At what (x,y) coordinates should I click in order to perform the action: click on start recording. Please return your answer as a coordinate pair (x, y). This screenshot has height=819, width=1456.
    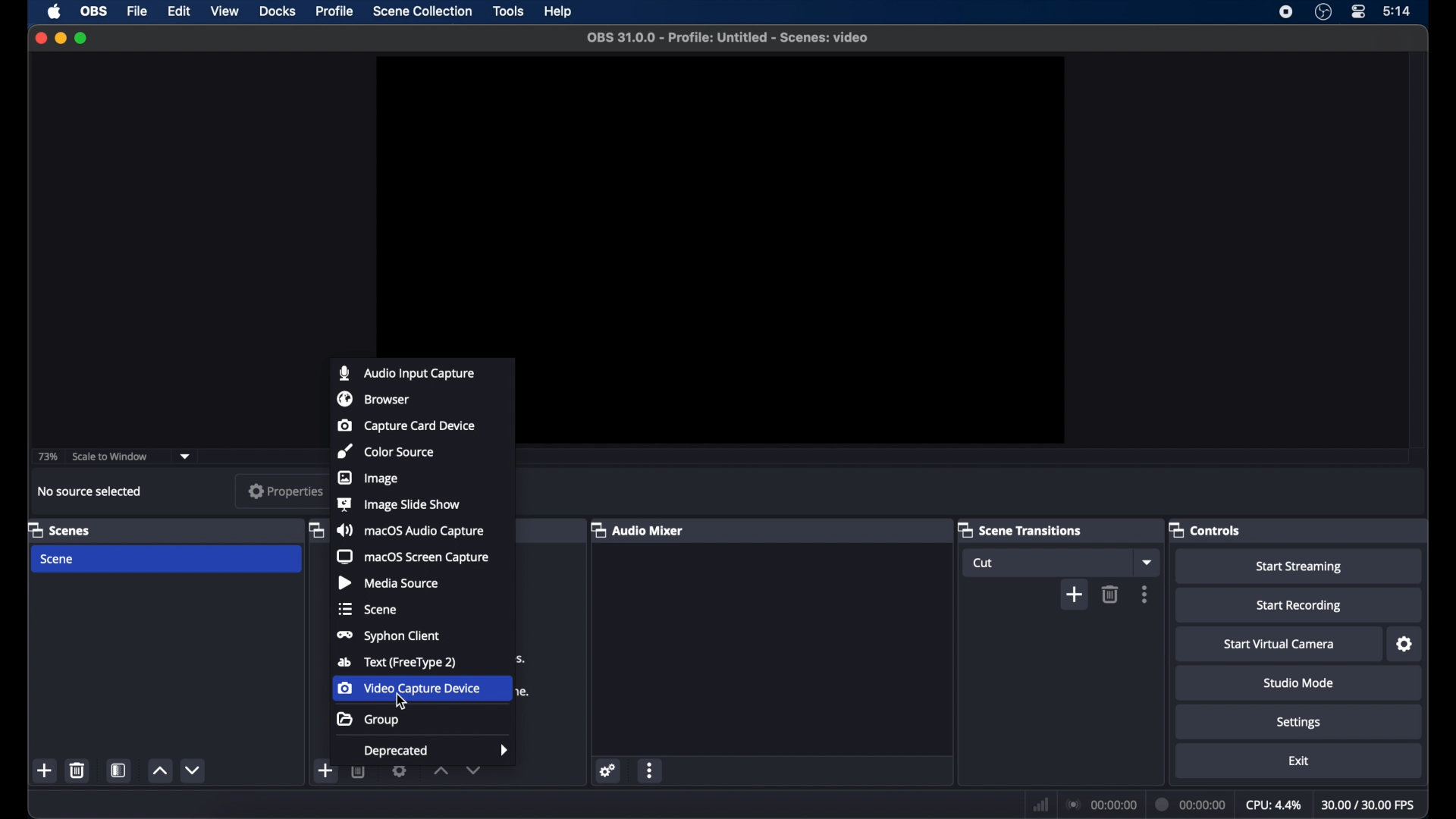
    Looking at the image, I should click on (1300, 606).